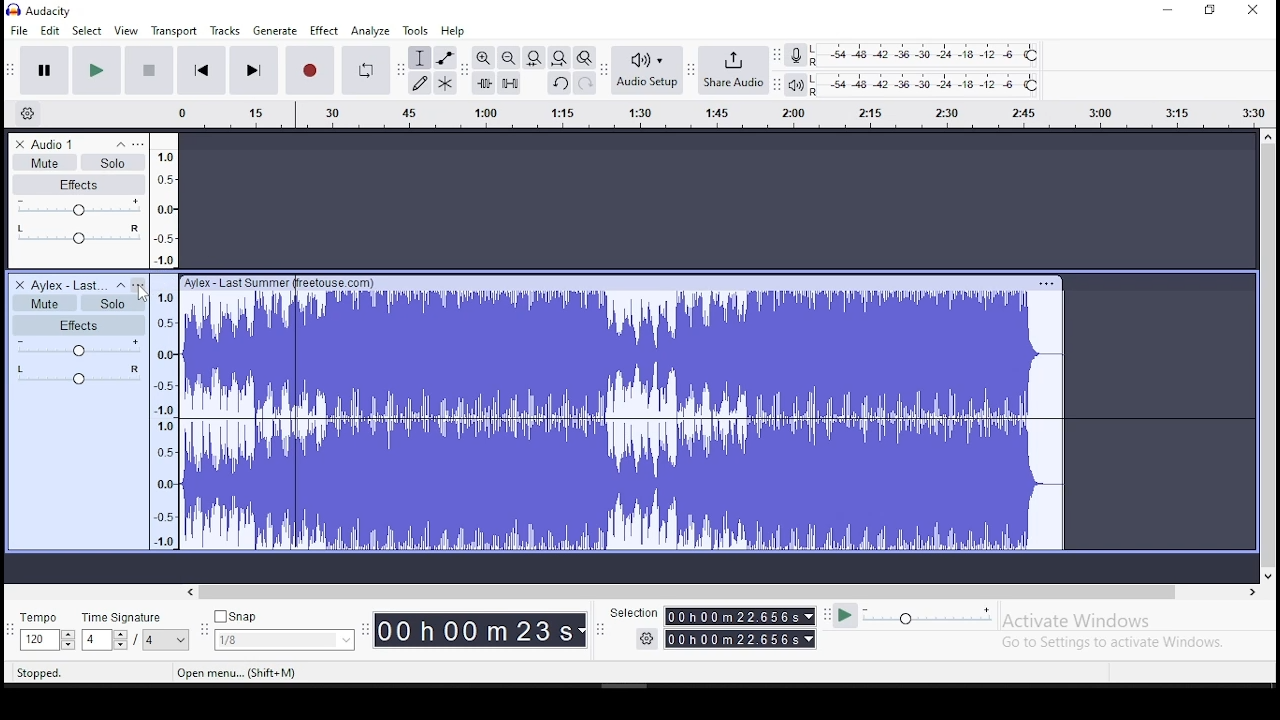 This screenshot has width=1280, height=720. What do you see at coordinates (236, 673) in the screenshot?
I see `open menu` at bounding box center [236, 673].